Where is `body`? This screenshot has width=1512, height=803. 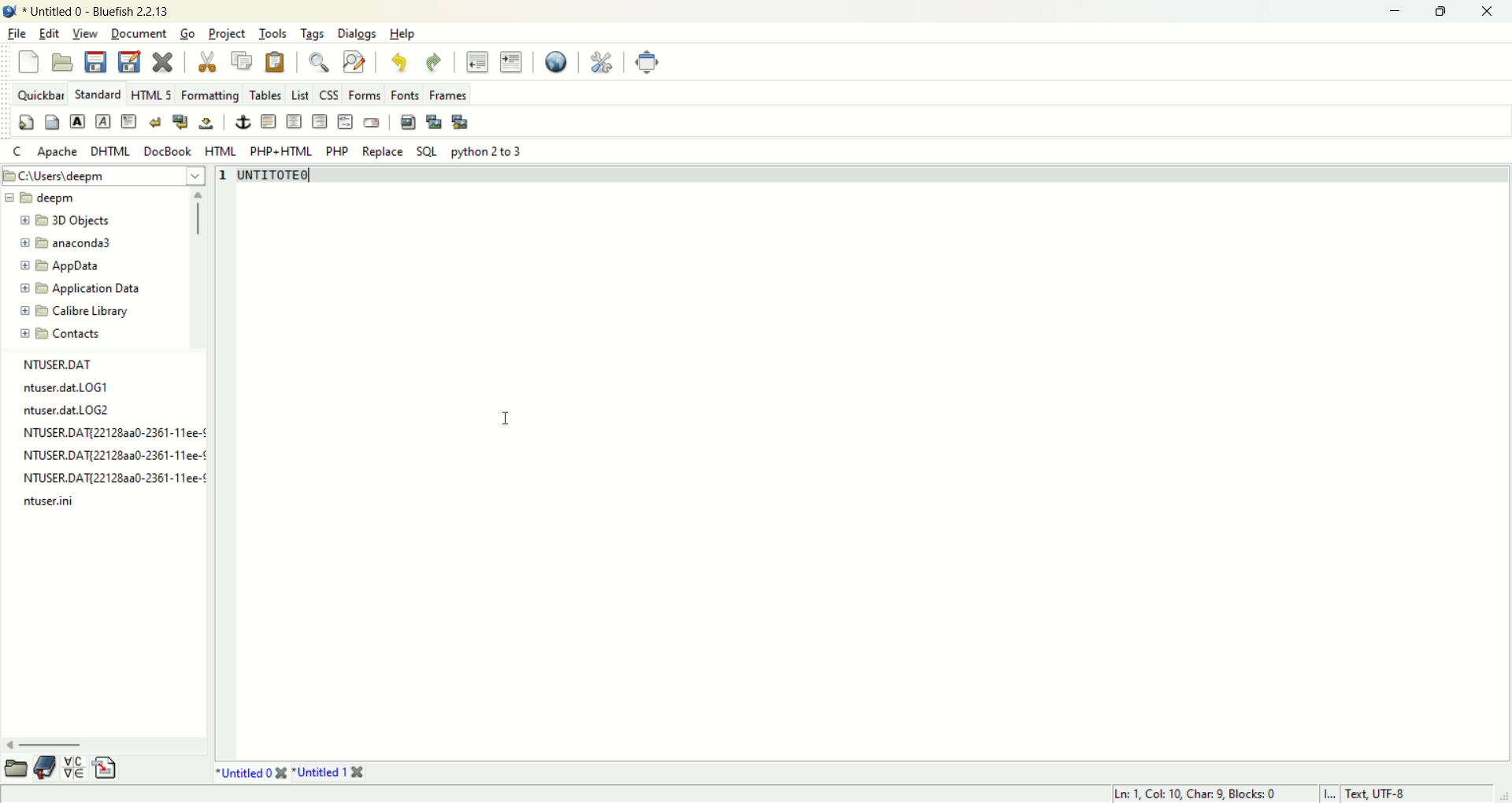
body is located at coordinates (50, 121).